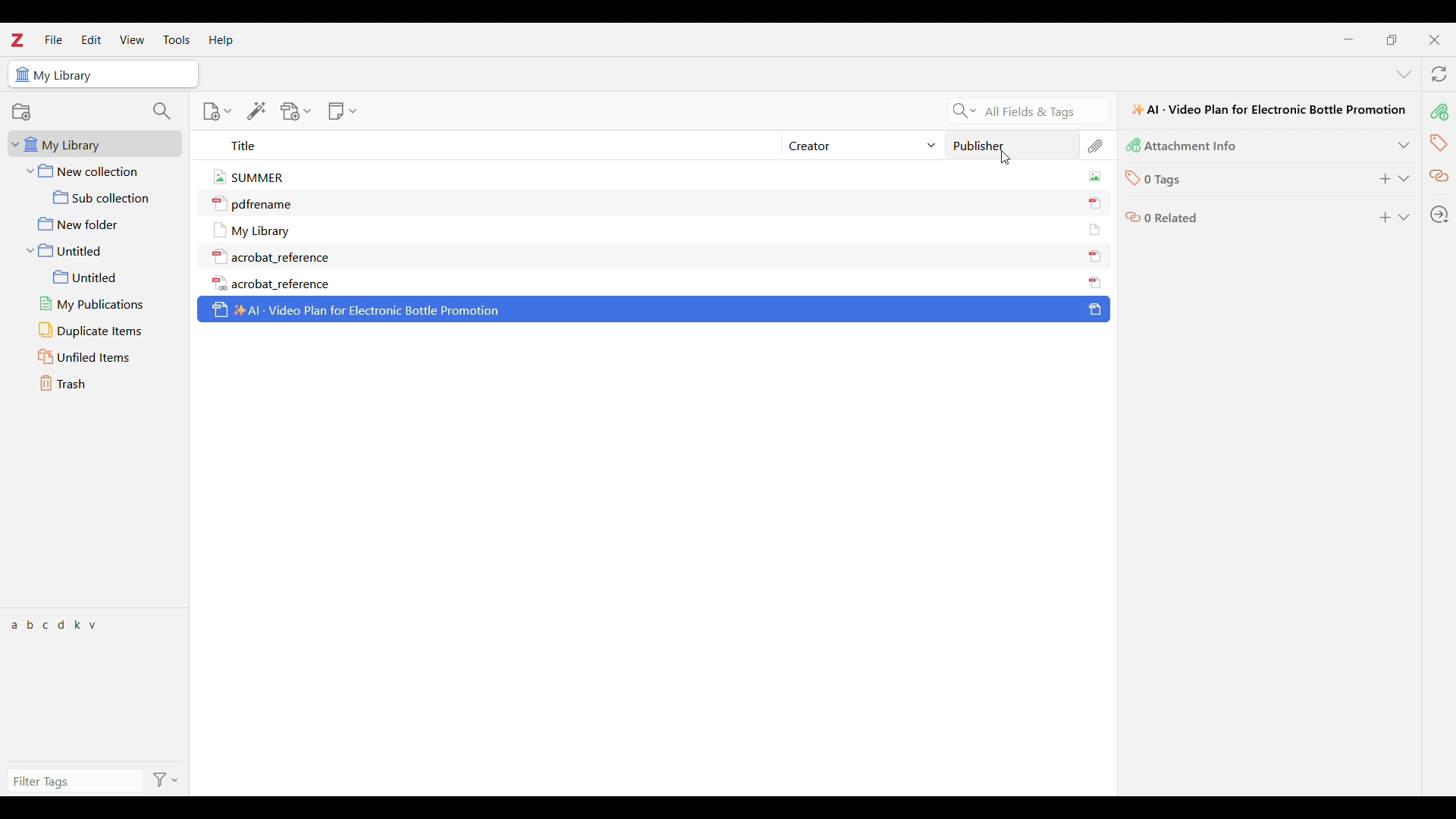  Describe the element at coordinates (95, 143) in the screenshot. I see `My Library` at that location.